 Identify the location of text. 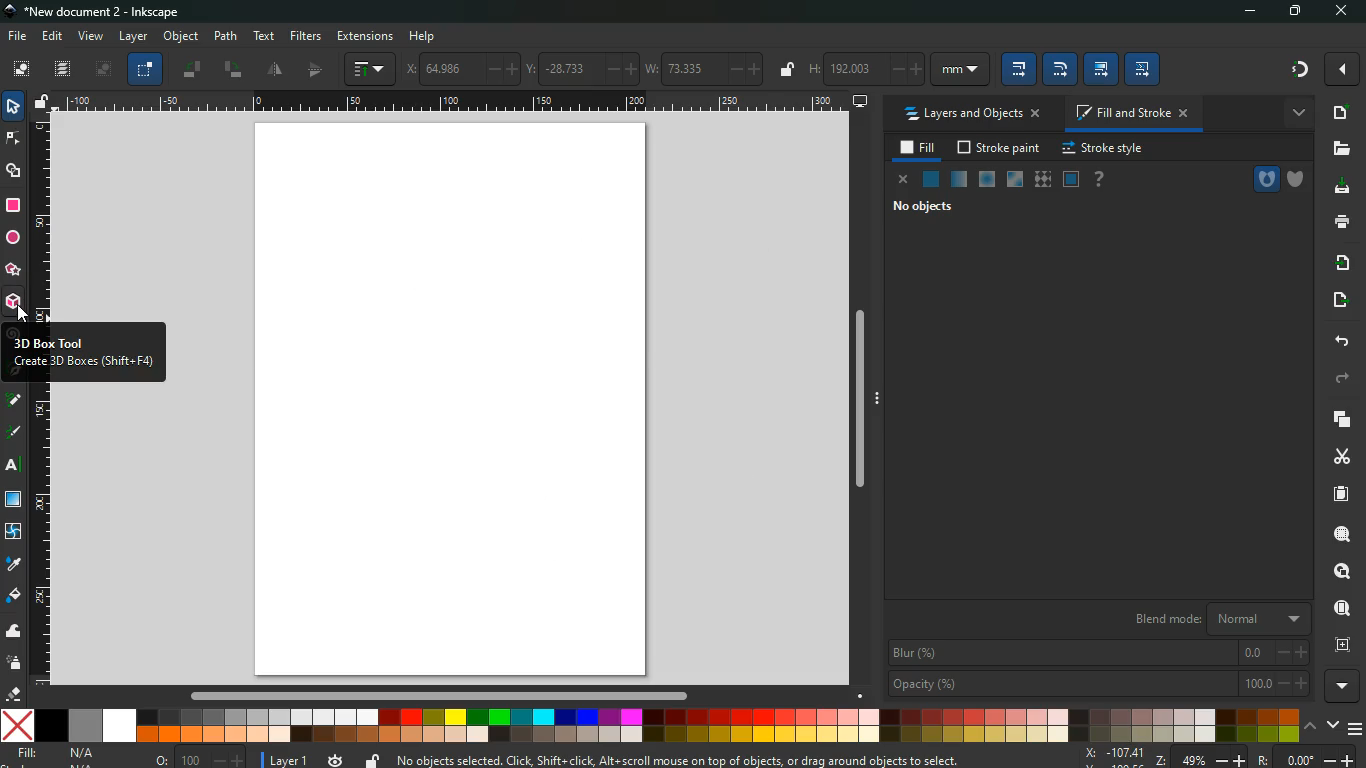
(262, 36).